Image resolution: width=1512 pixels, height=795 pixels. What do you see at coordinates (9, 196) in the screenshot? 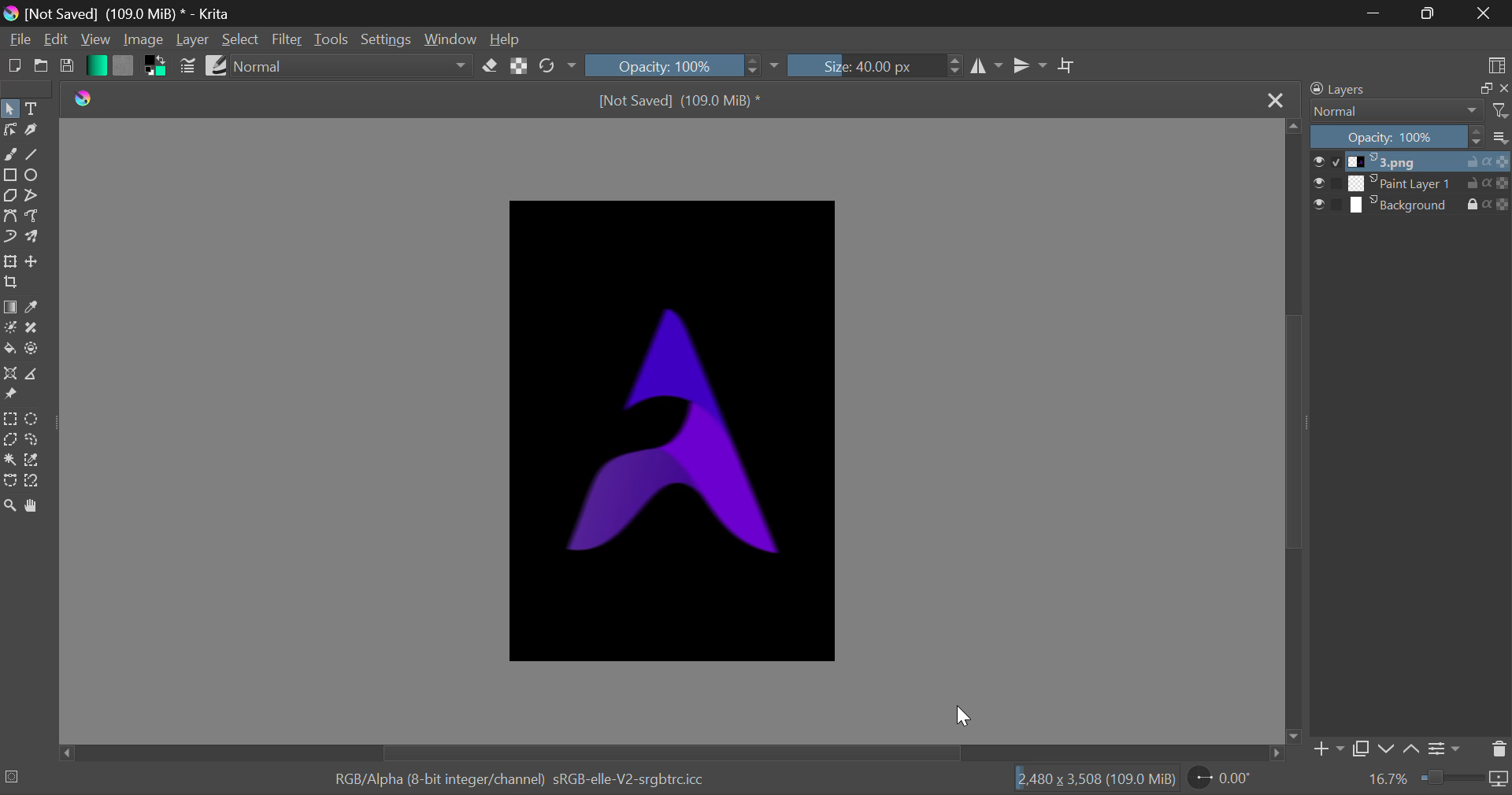
I see `Polygons` at bounding box center [9, 196].